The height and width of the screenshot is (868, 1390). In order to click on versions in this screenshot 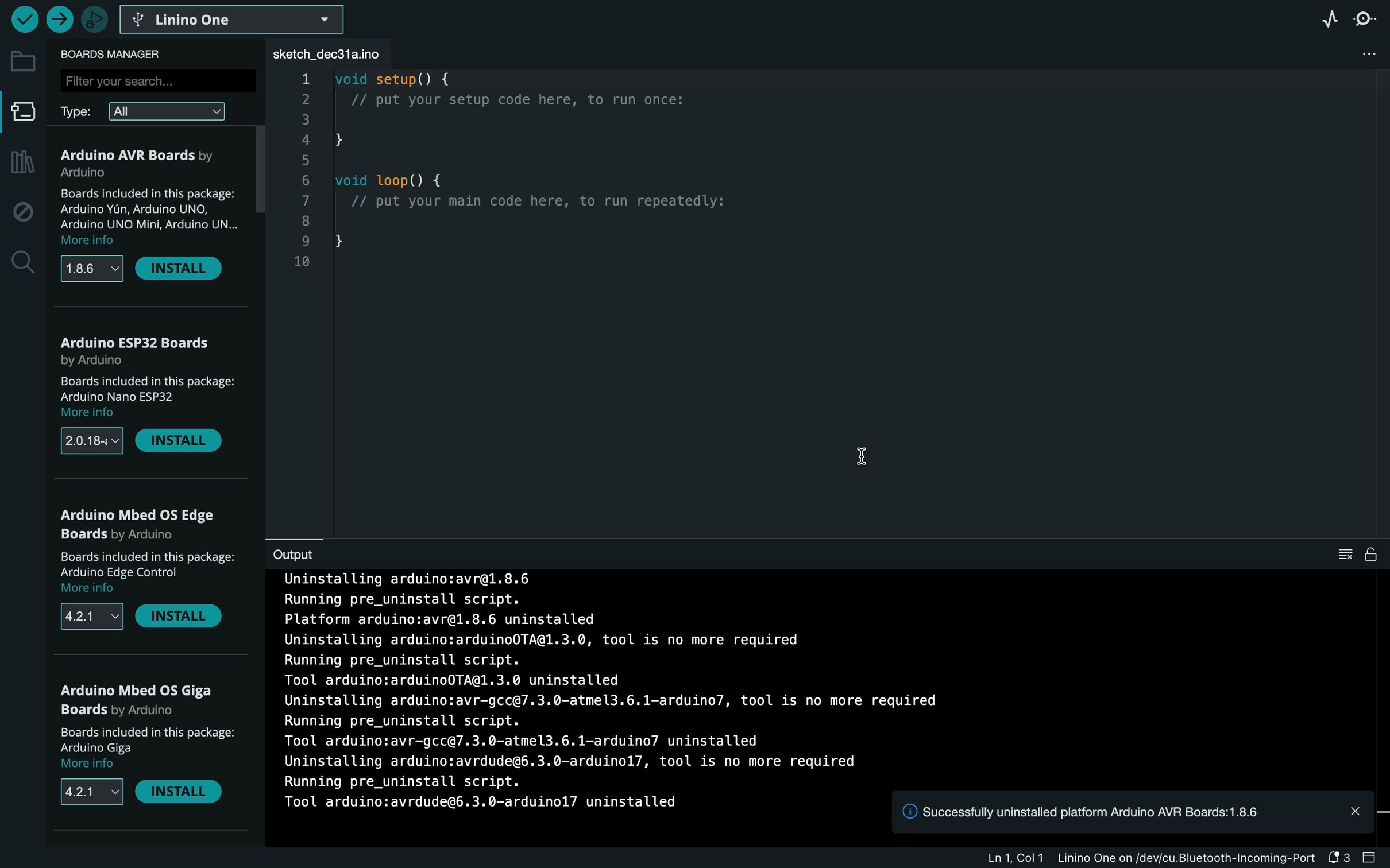, I will do `click(91, 441)`.